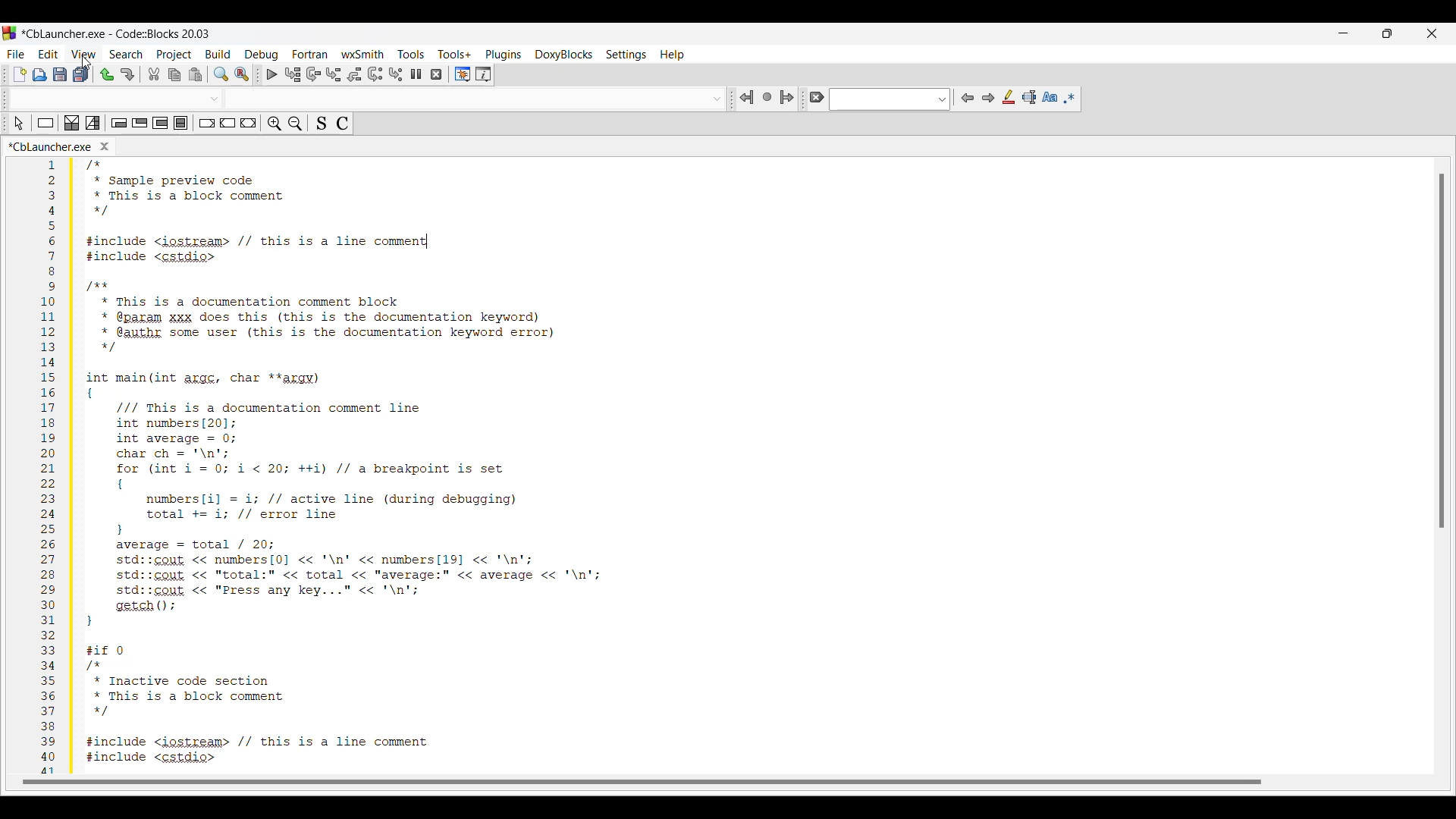 This screenshot has width=1456, height=819. I want to click on Exit condition loop, so click(140, 123).